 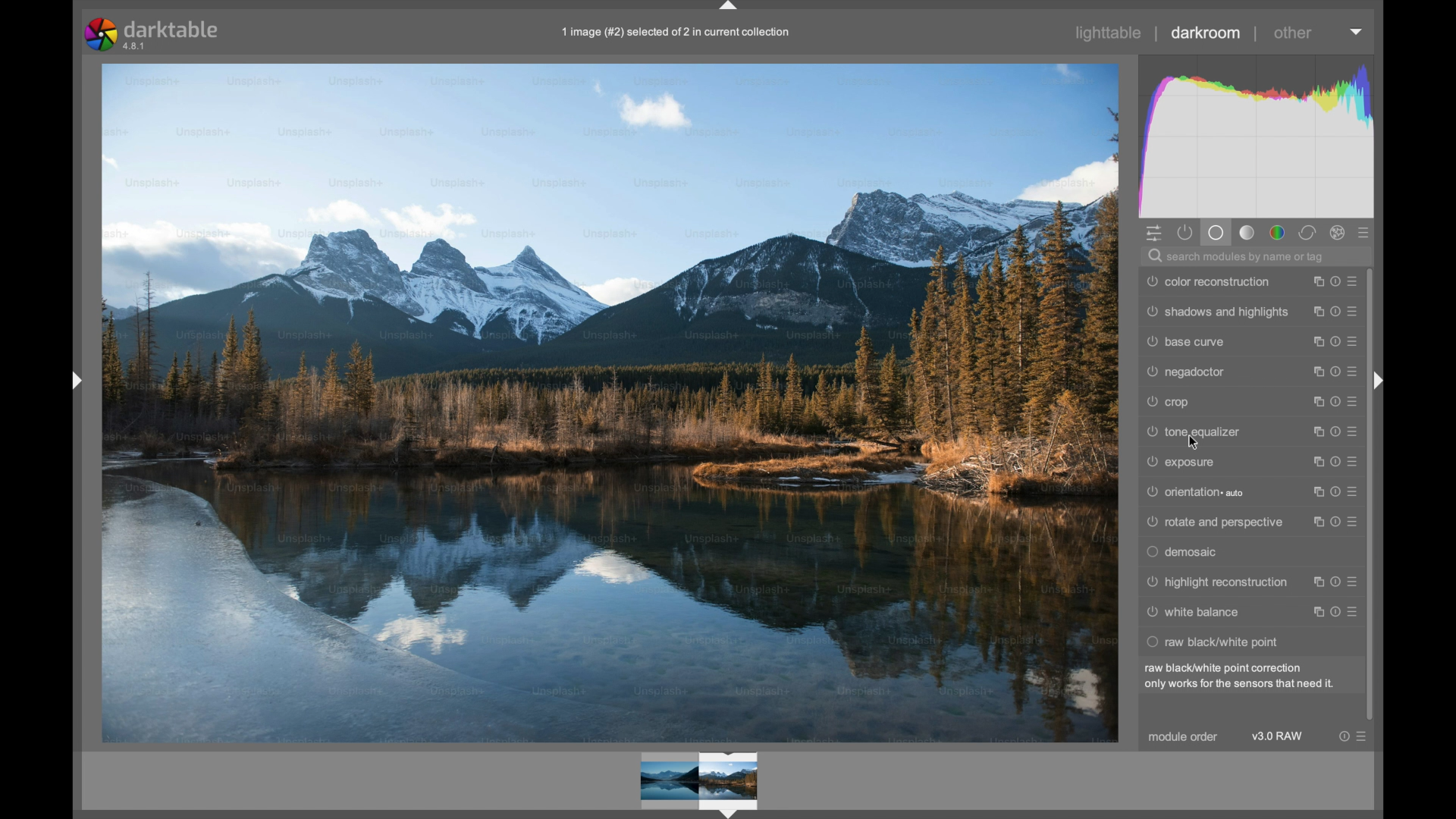 What do you see at coordinates (1218, 582) in the screenshot?
I see `highlight reconstruction` at bounding box center [1218, 582].